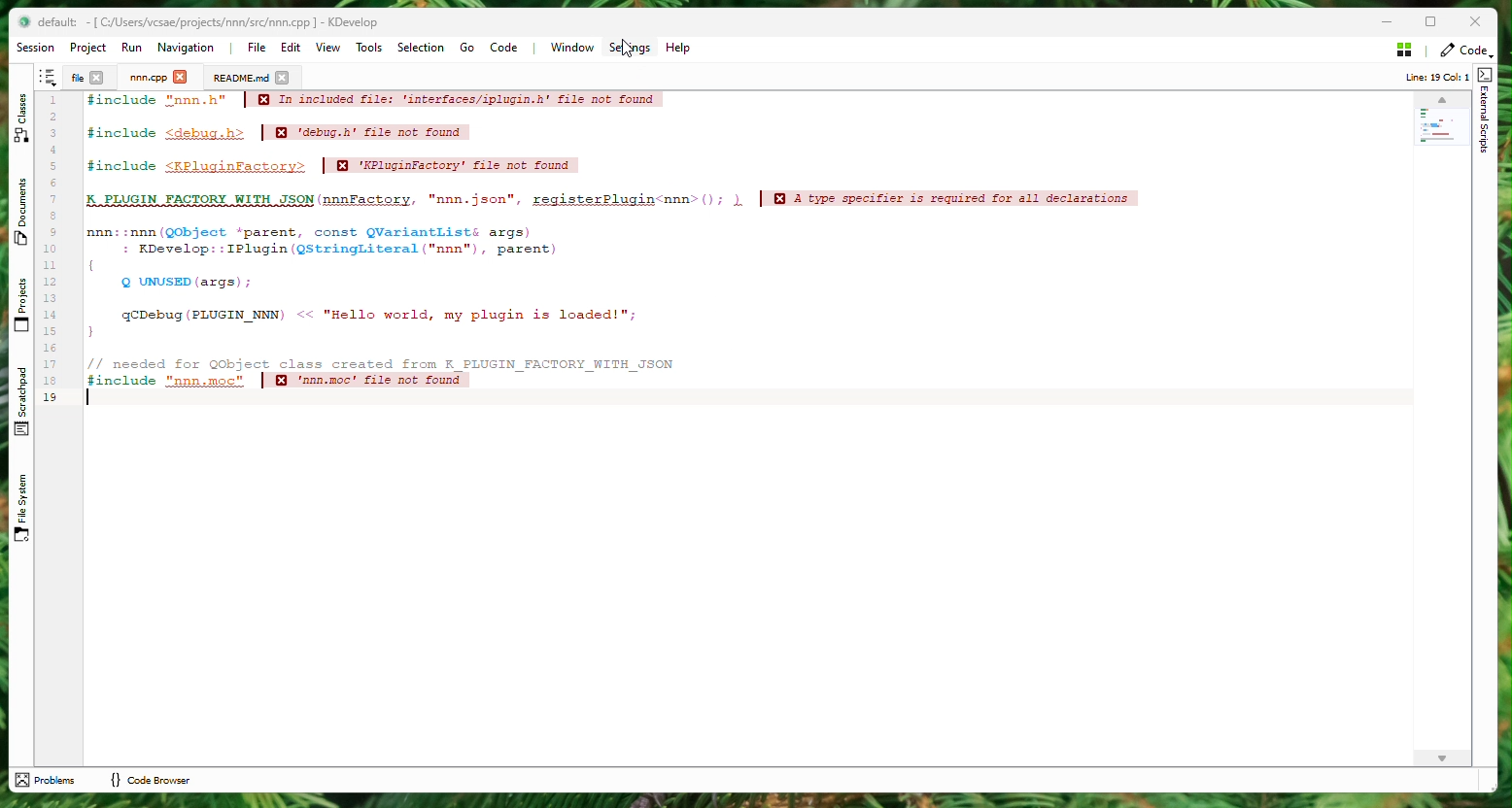 The height and width of the screenshot is (808, 1512). What do you see at coordinates (87, 49) in the screenshot?
I see `Project` at bounding box center [87, 49].